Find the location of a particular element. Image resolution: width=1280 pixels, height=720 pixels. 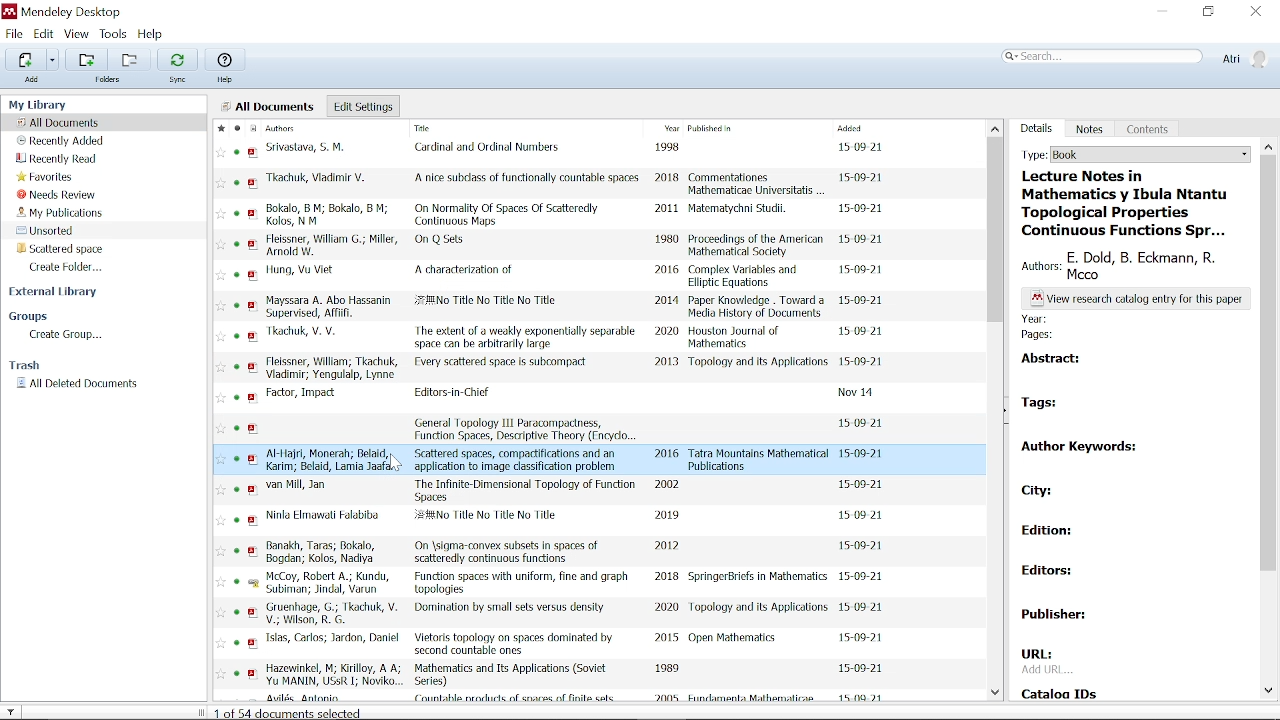

Recently read is located at coordinates (57, 160).